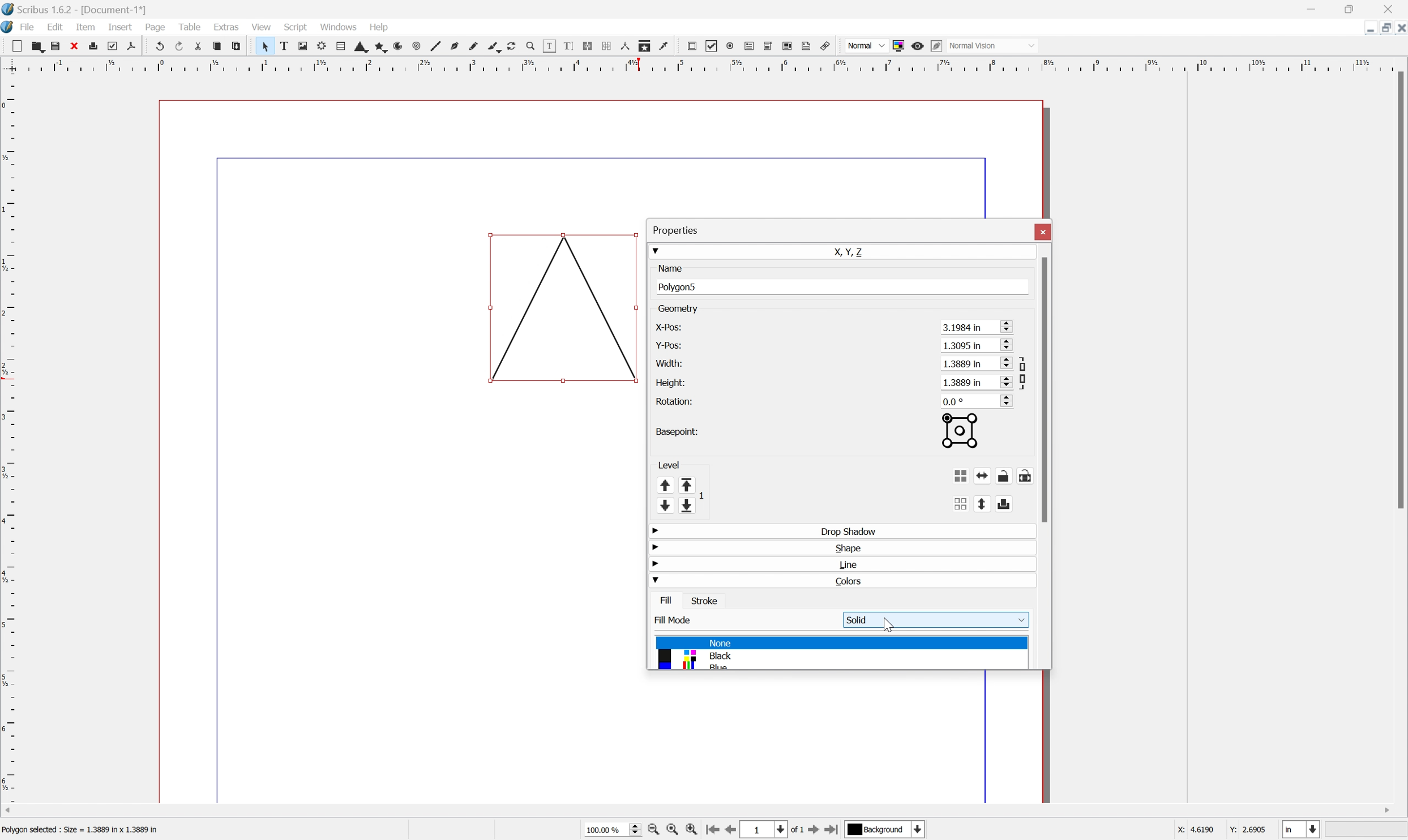 The width and height of the screenshot is (1408, 840). Describe the element at coordinates (712, 830) in the screenshot. I see `Go to first page` at that location.